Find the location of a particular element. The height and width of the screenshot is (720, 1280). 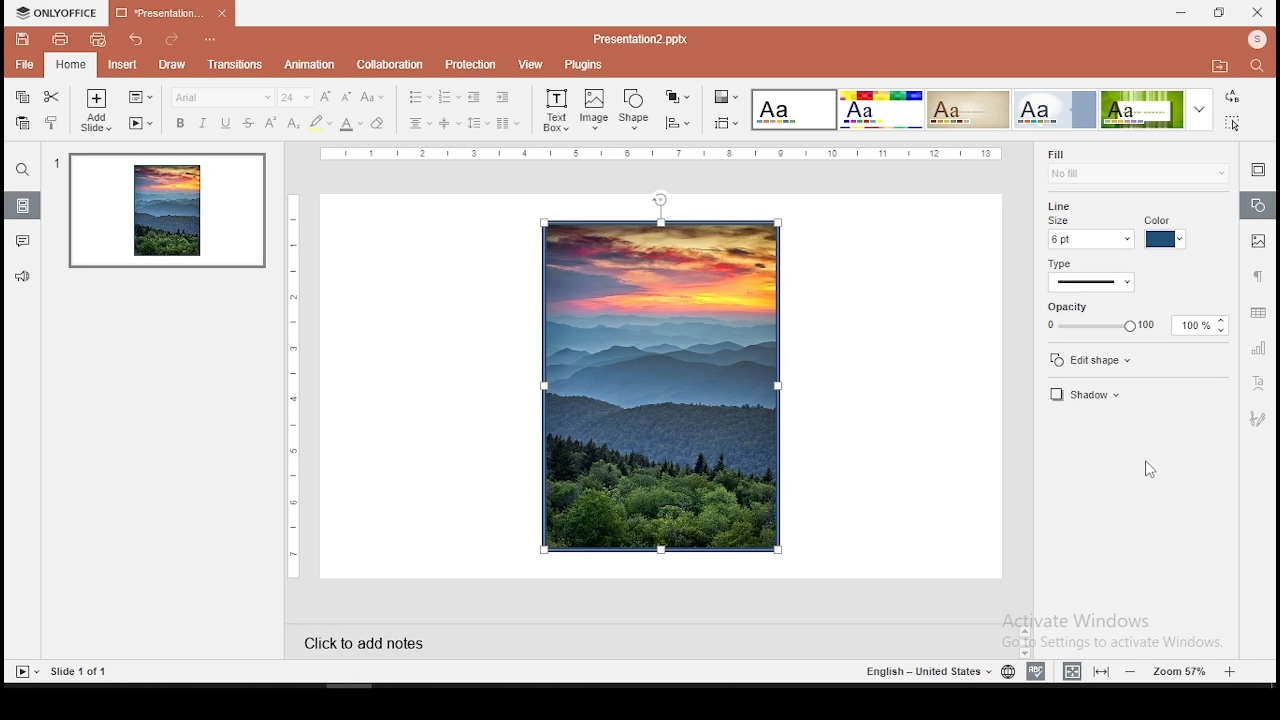

eraser tool is located at coordinates (378, 122).